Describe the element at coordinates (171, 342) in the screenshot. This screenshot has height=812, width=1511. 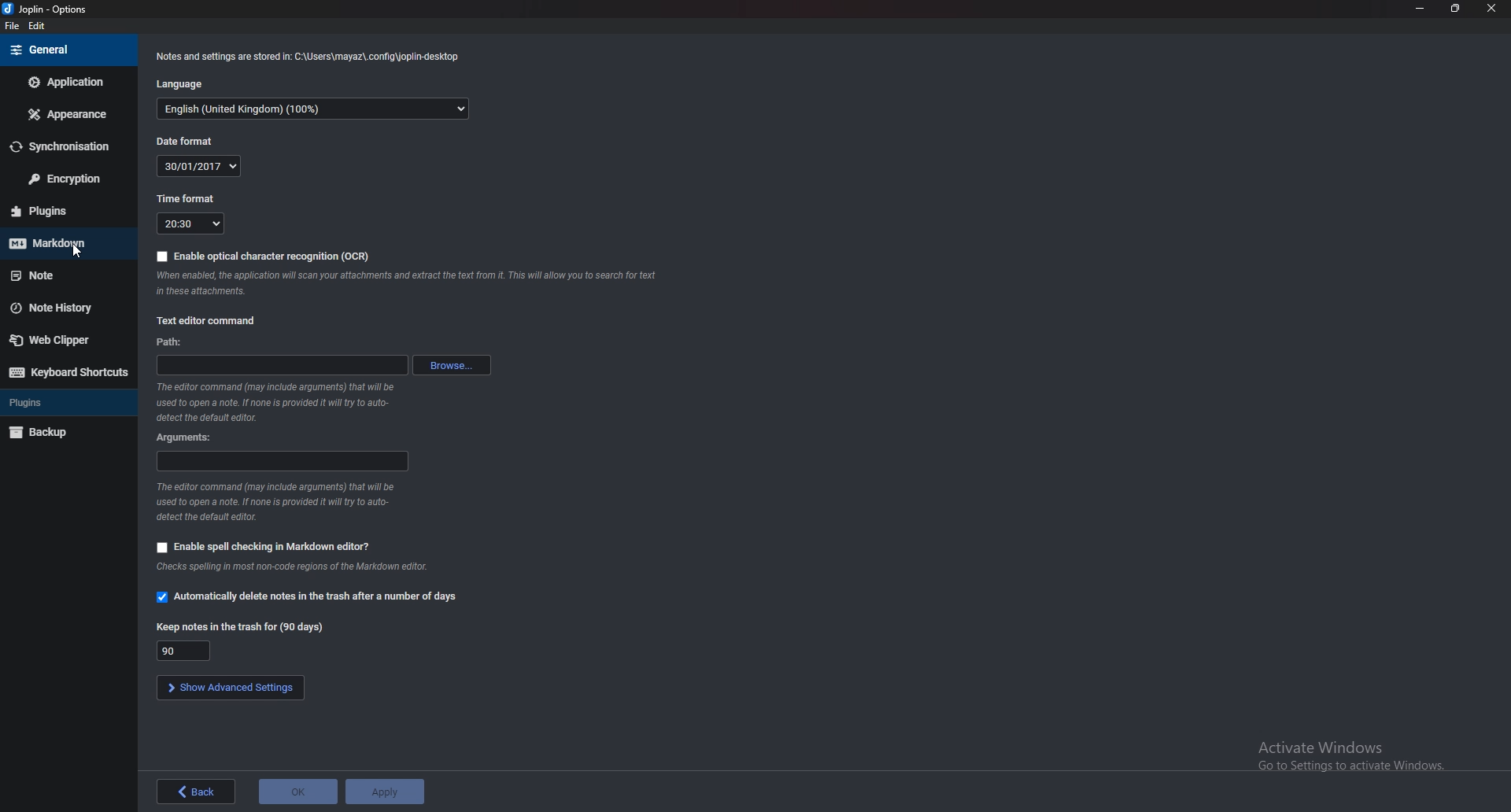
I see `path` at that location.